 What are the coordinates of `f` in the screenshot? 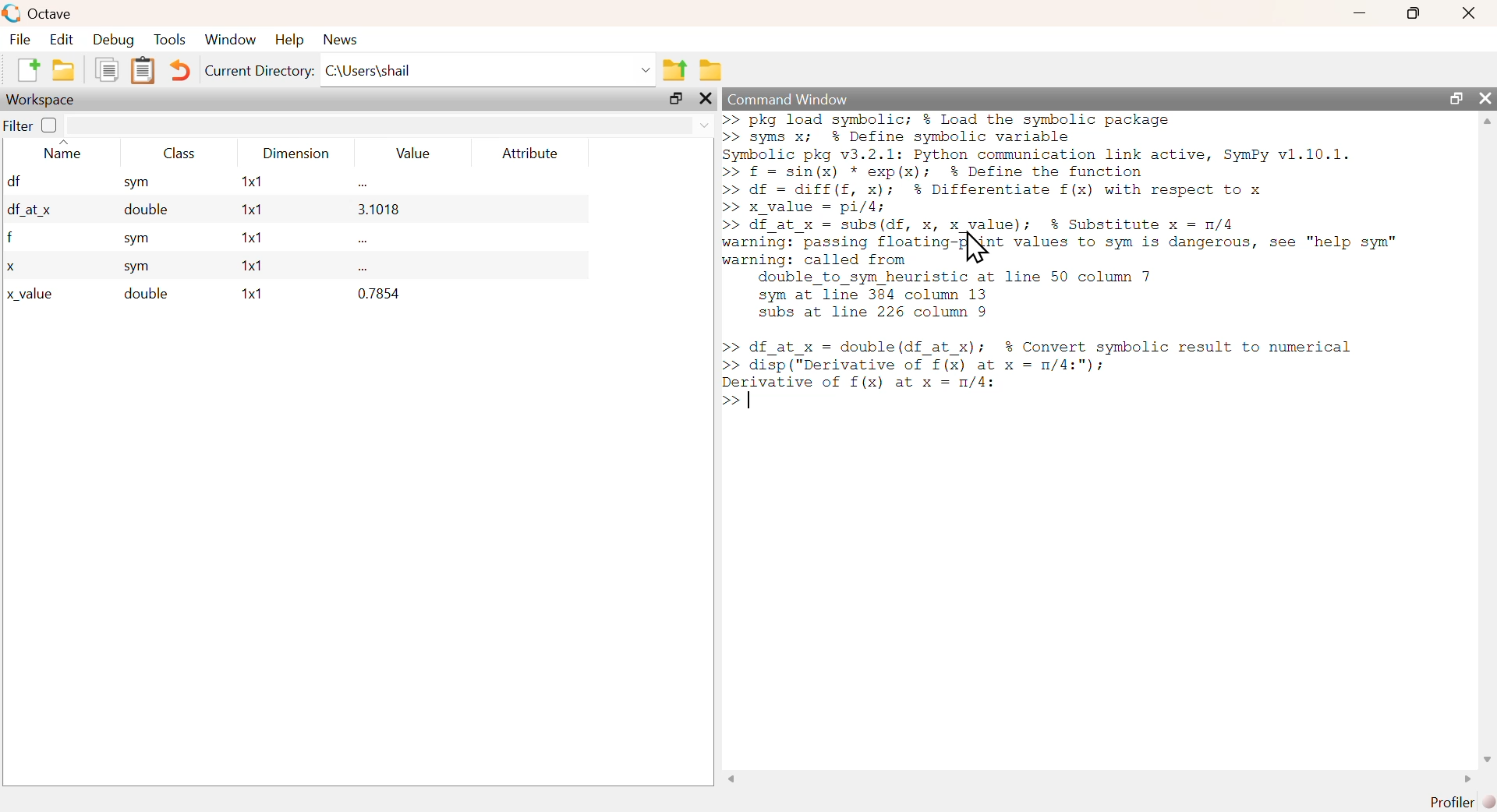 It's located at (11, 238).